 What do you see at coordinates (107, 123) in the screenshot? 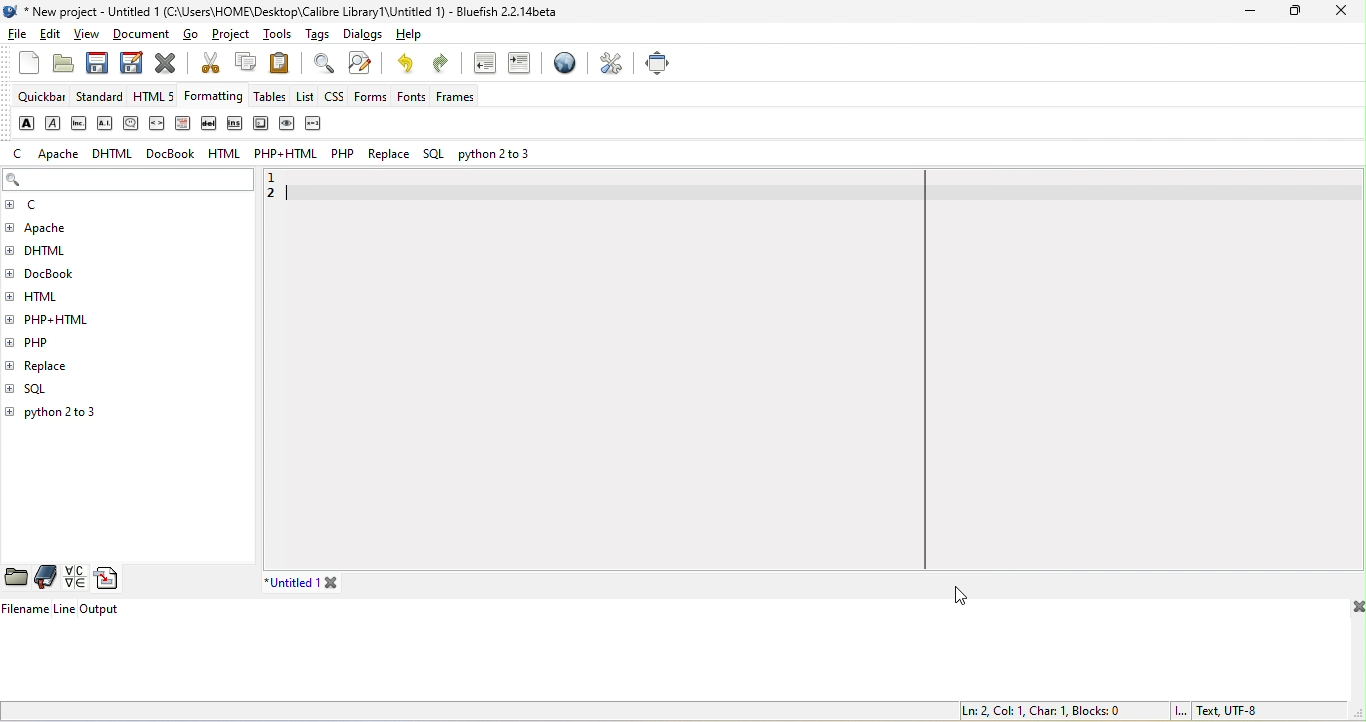
I see `acronym` at bounding box center [107, 123].